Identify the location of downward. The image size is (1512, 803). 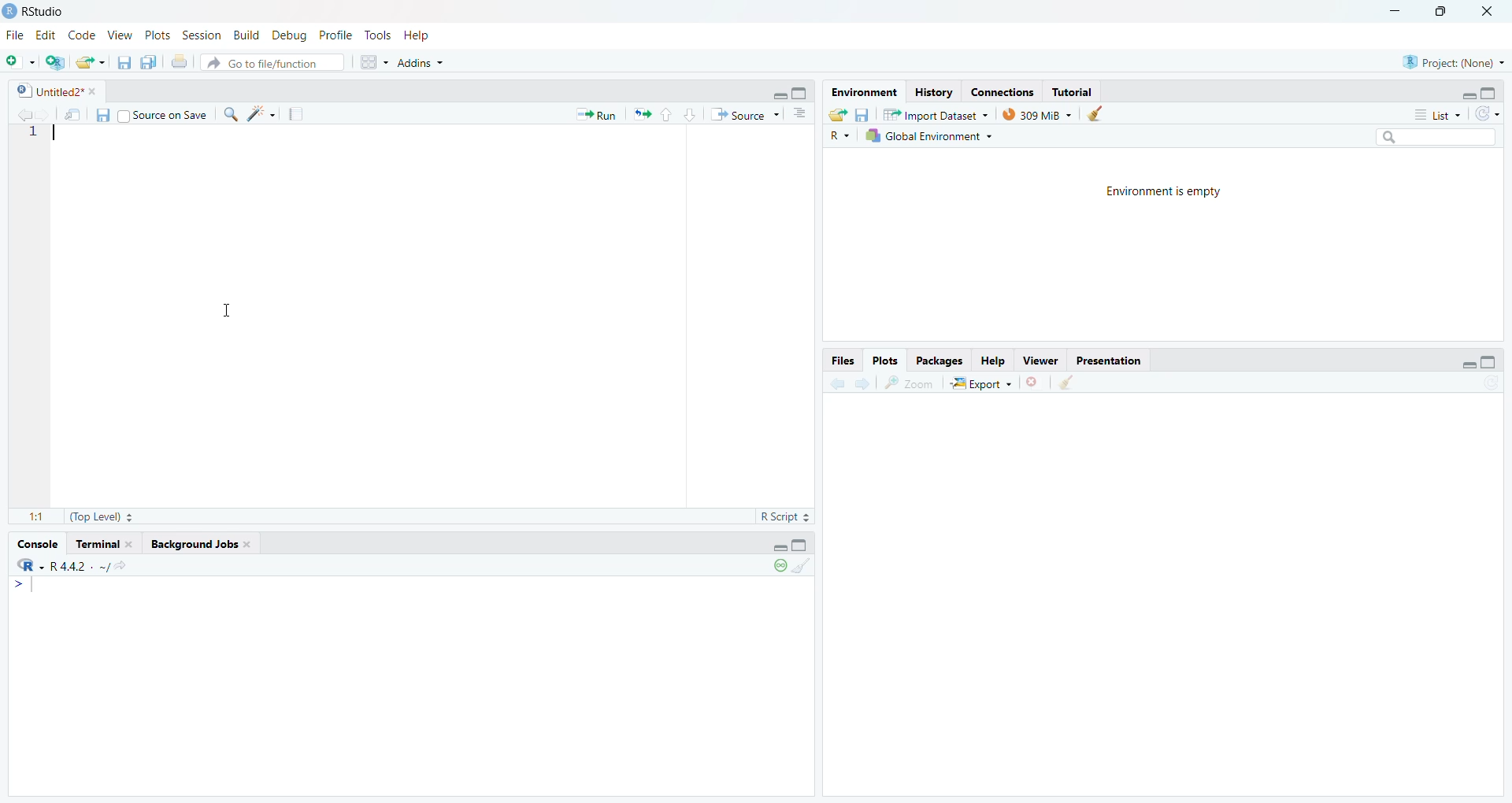
(691, 114).